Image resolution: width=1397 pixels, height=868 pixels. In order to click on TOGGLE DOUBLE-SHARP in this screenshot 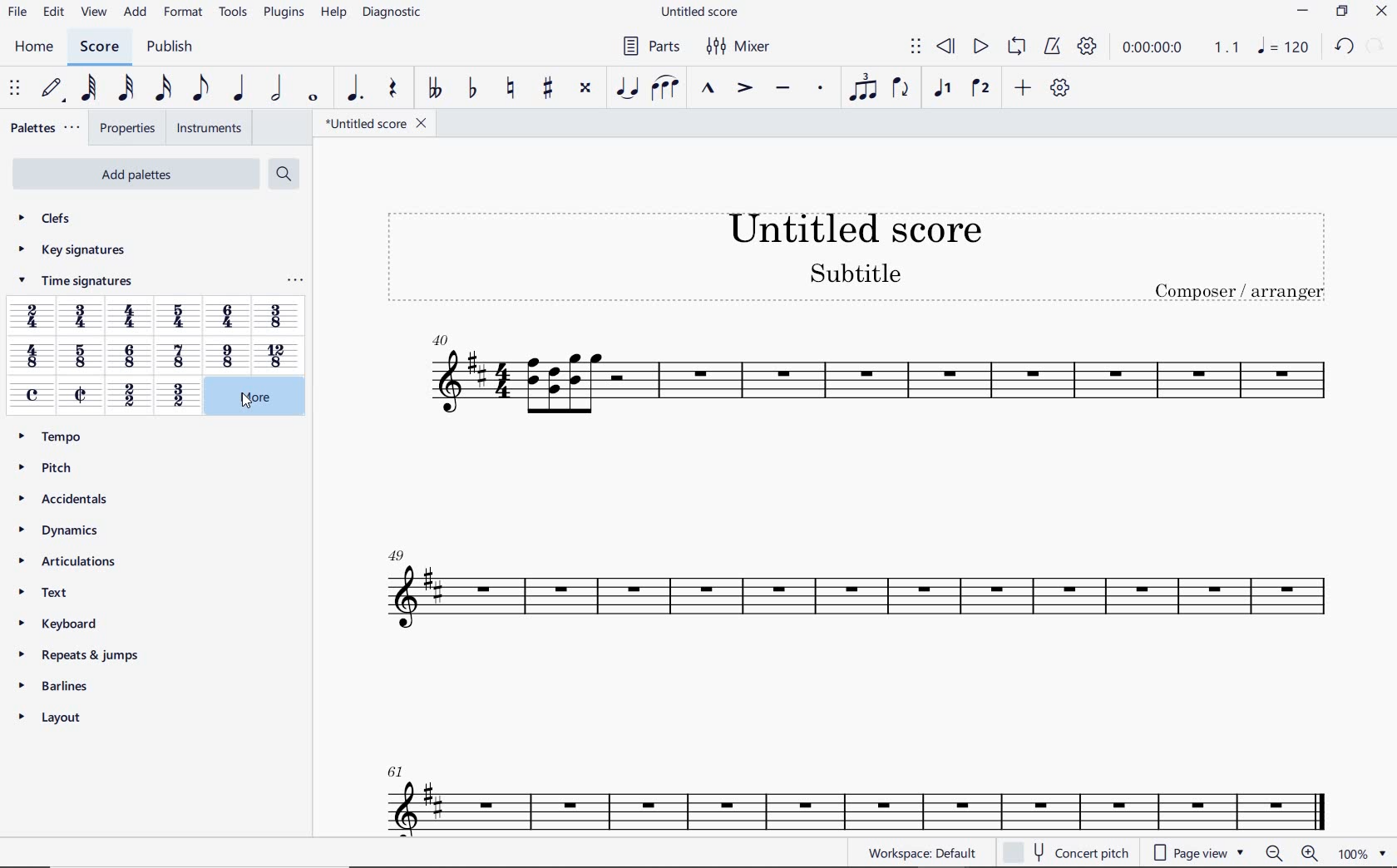, I will do `click(585, 88)`.